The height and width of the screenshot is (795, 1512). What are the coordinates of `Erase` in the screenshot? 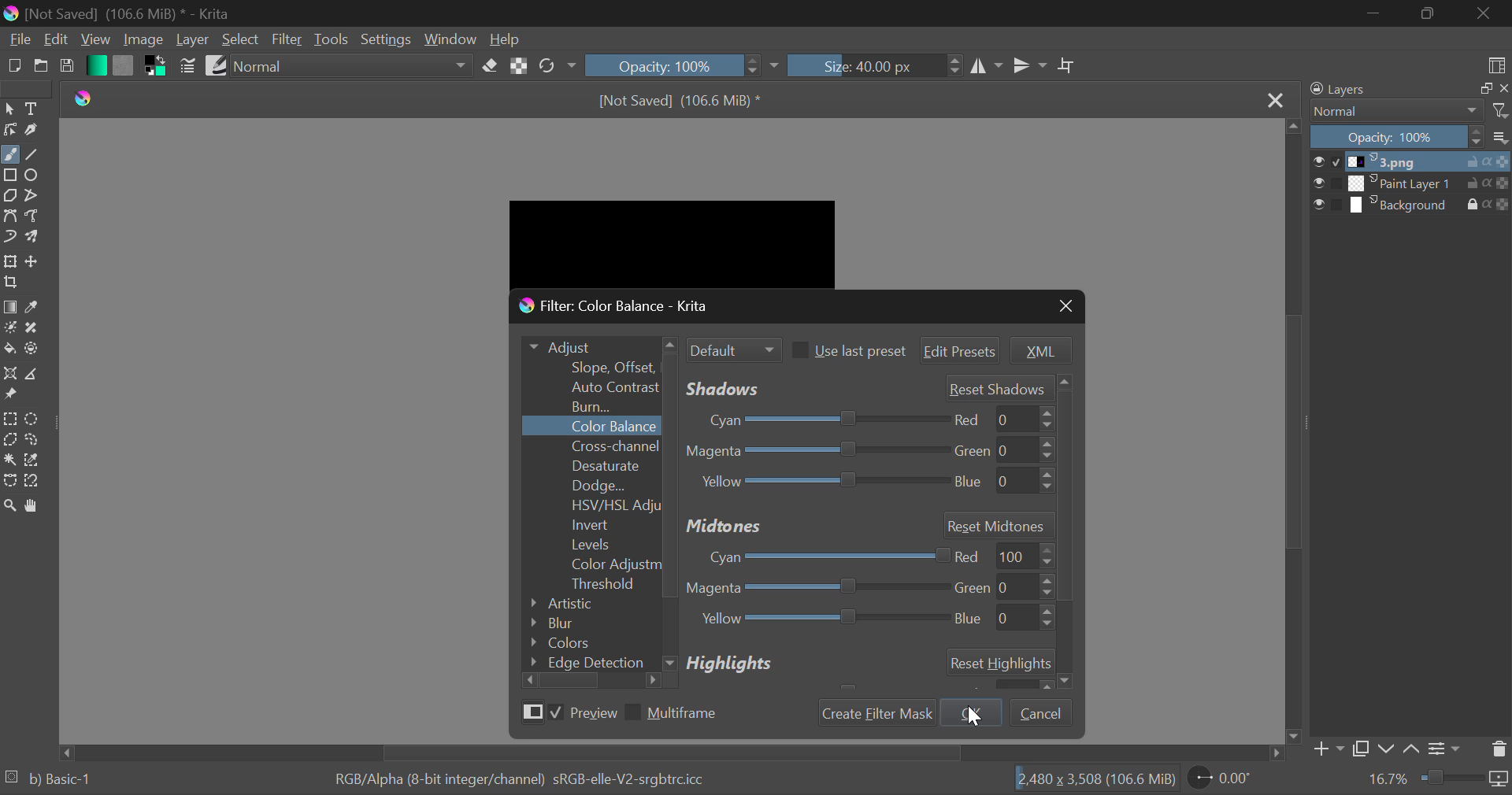 It's located at (490, 67).